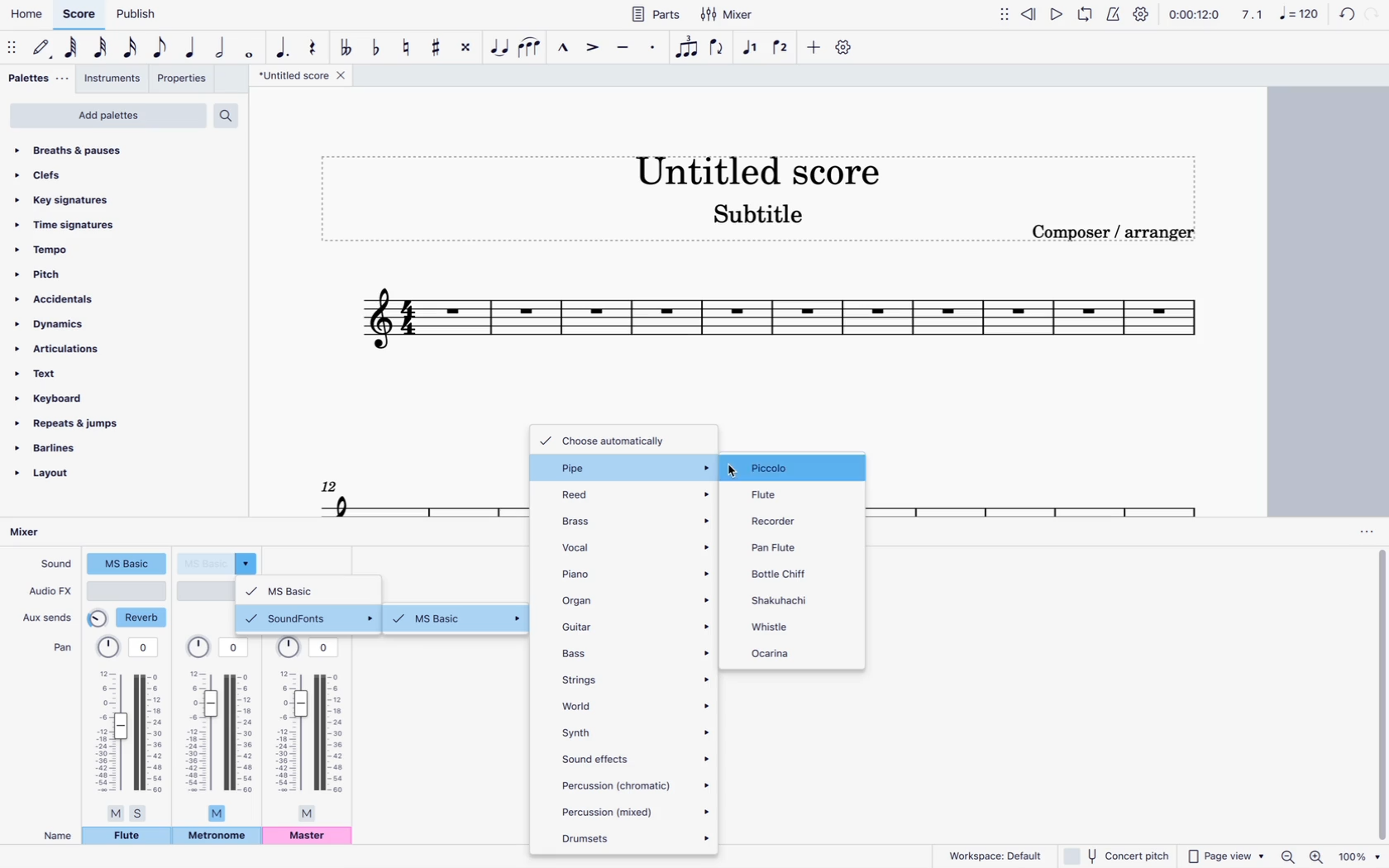 The image size is (1389, 868). I want to click on piano, so click(637, 570).